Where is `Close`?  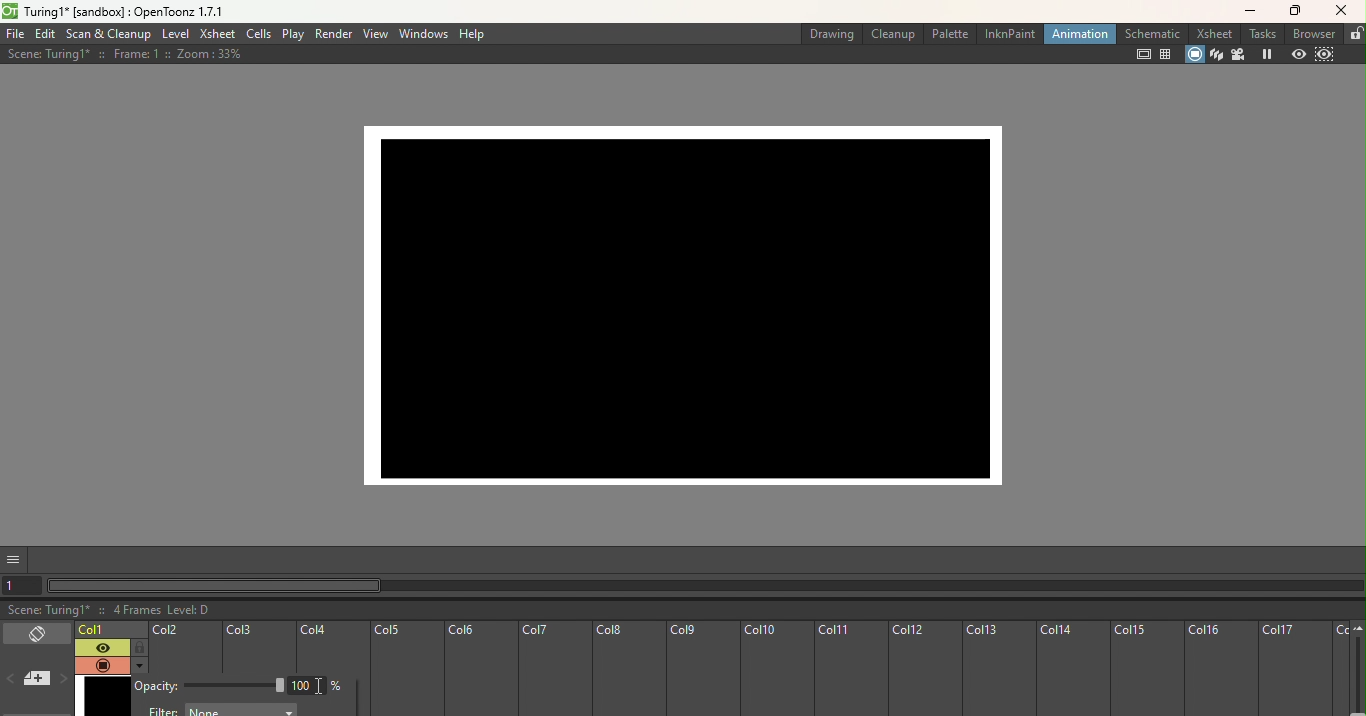
Close is located at coordinates (1344, 12).